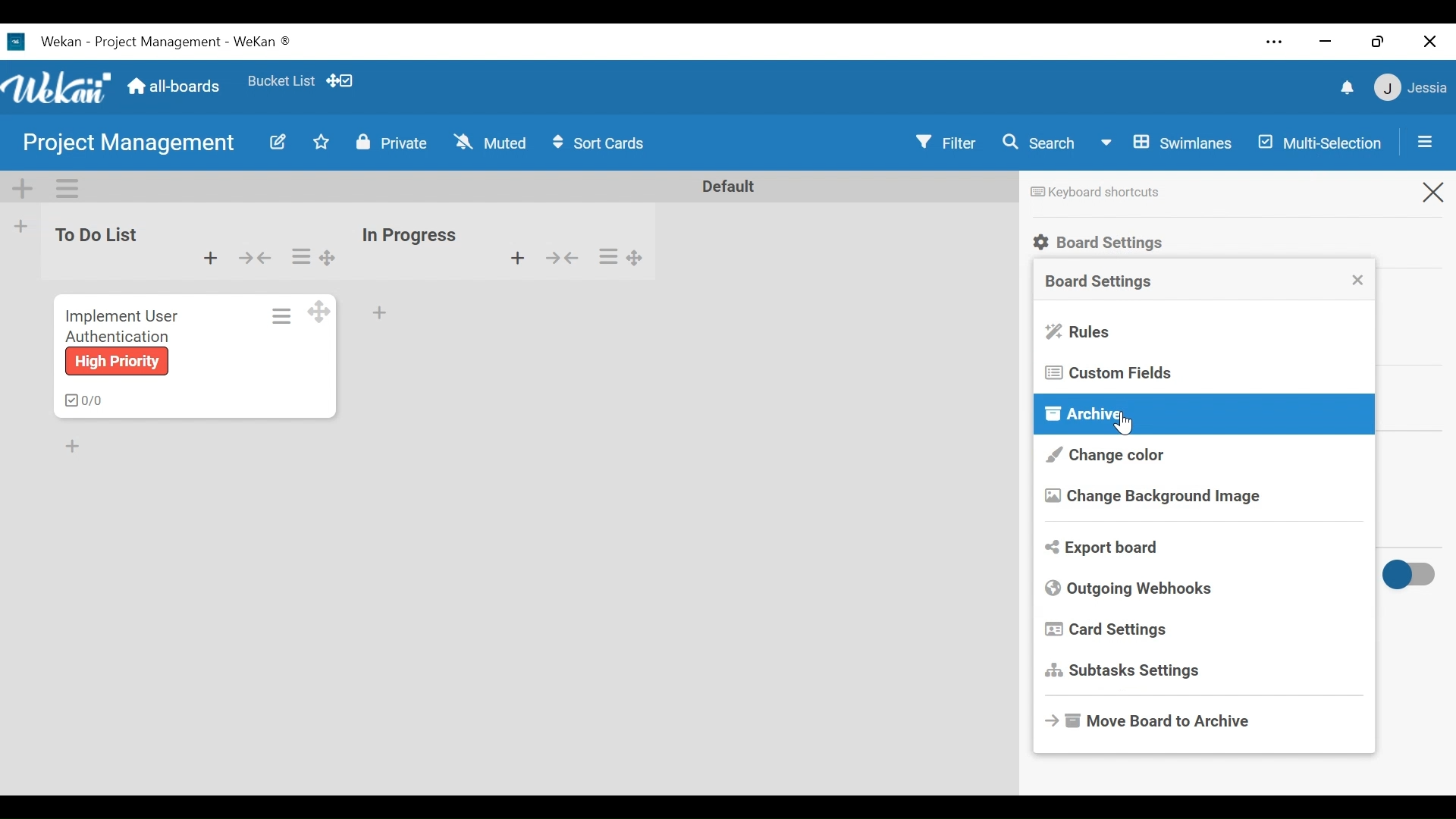 The image size is (1456, 819). What do you see at coordinates (63, 188) in the screenshot?
I see `Swimlane Actions` at bounding box center [63, 188].